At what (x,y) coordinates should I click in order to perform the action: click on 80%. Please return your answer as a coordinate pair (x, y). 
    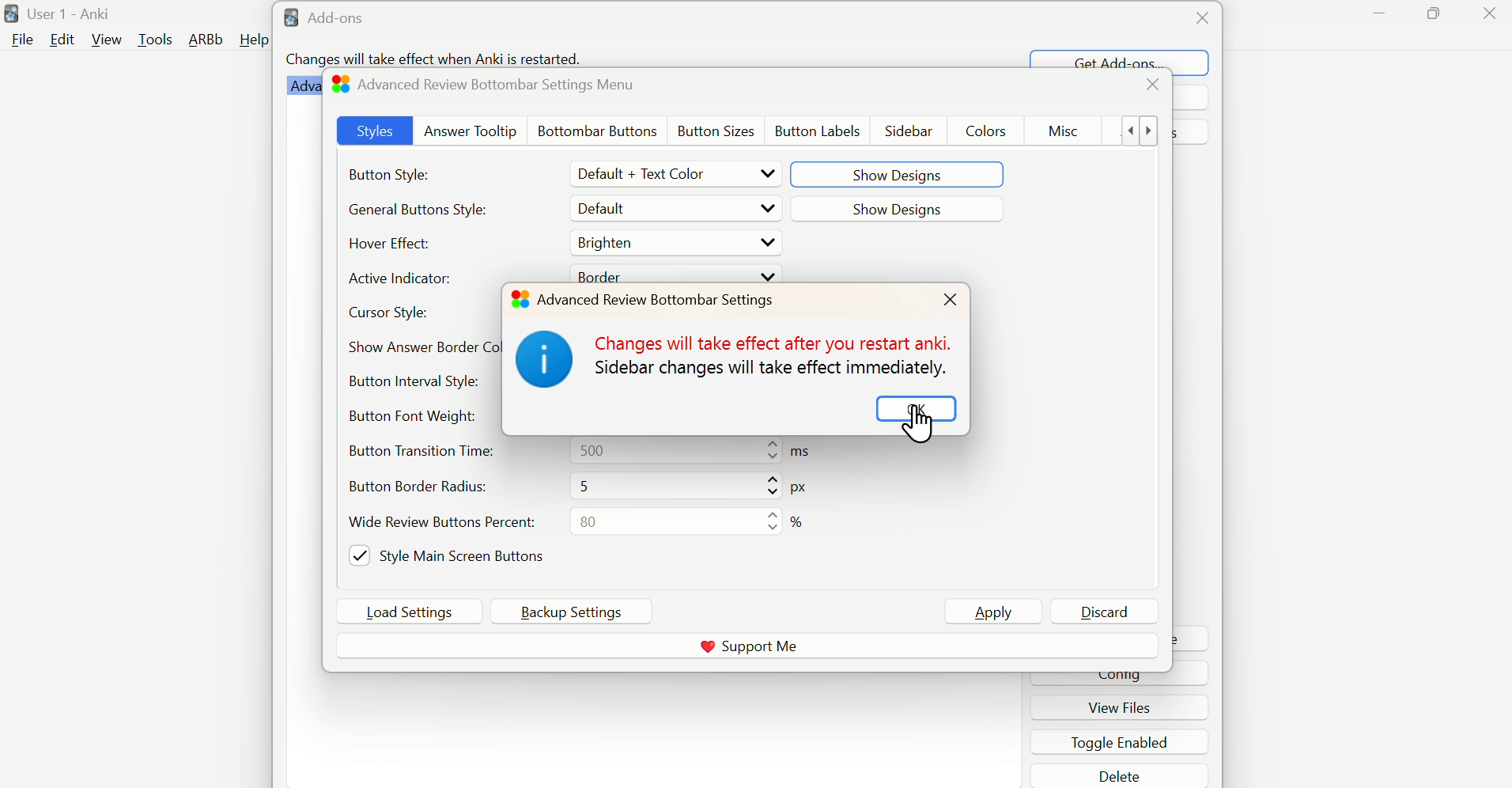
    Looking at the image, I should click on (700, 522).